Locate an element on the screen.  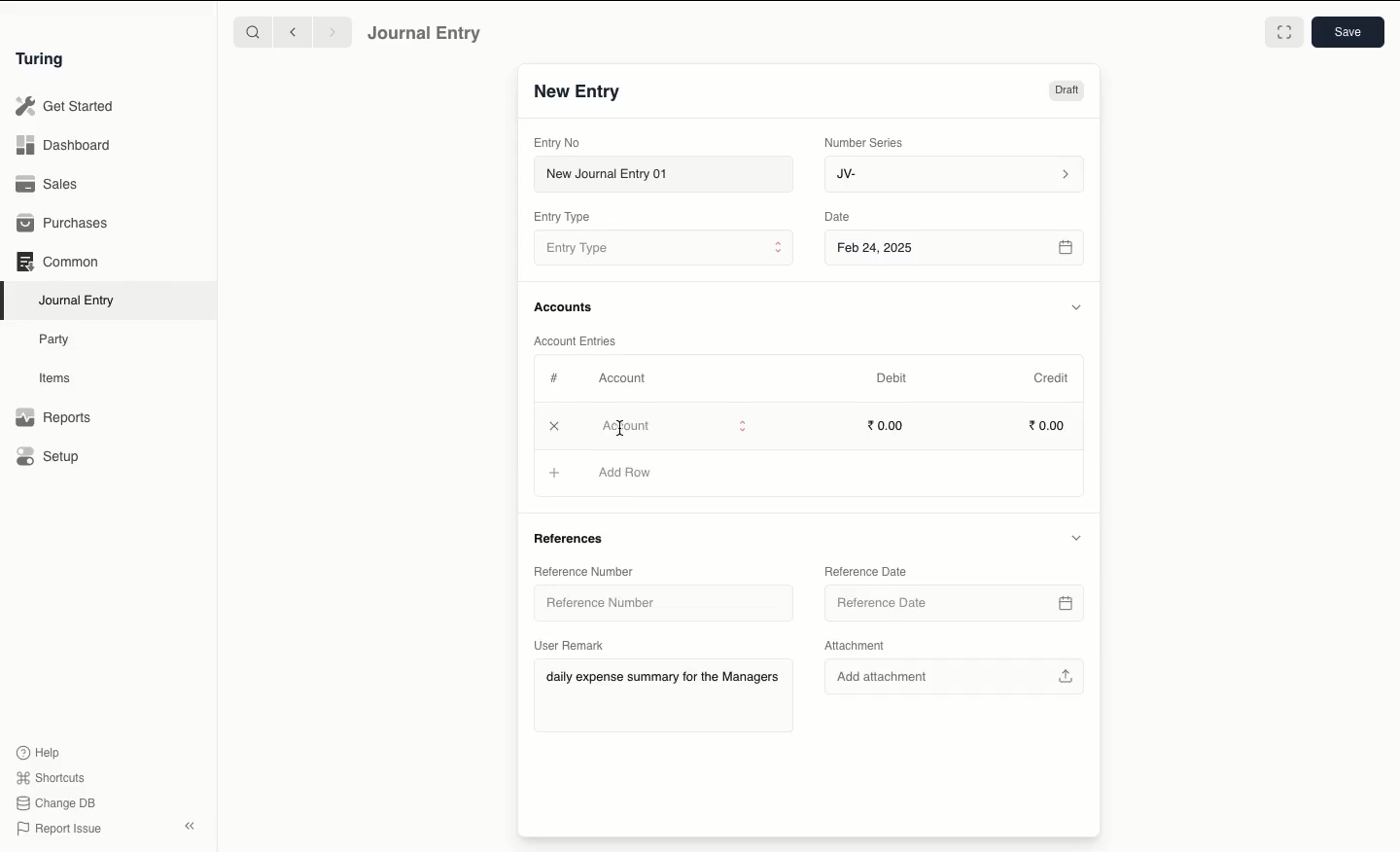
Feb 24, 2025 is located at coordinates (957, 250).